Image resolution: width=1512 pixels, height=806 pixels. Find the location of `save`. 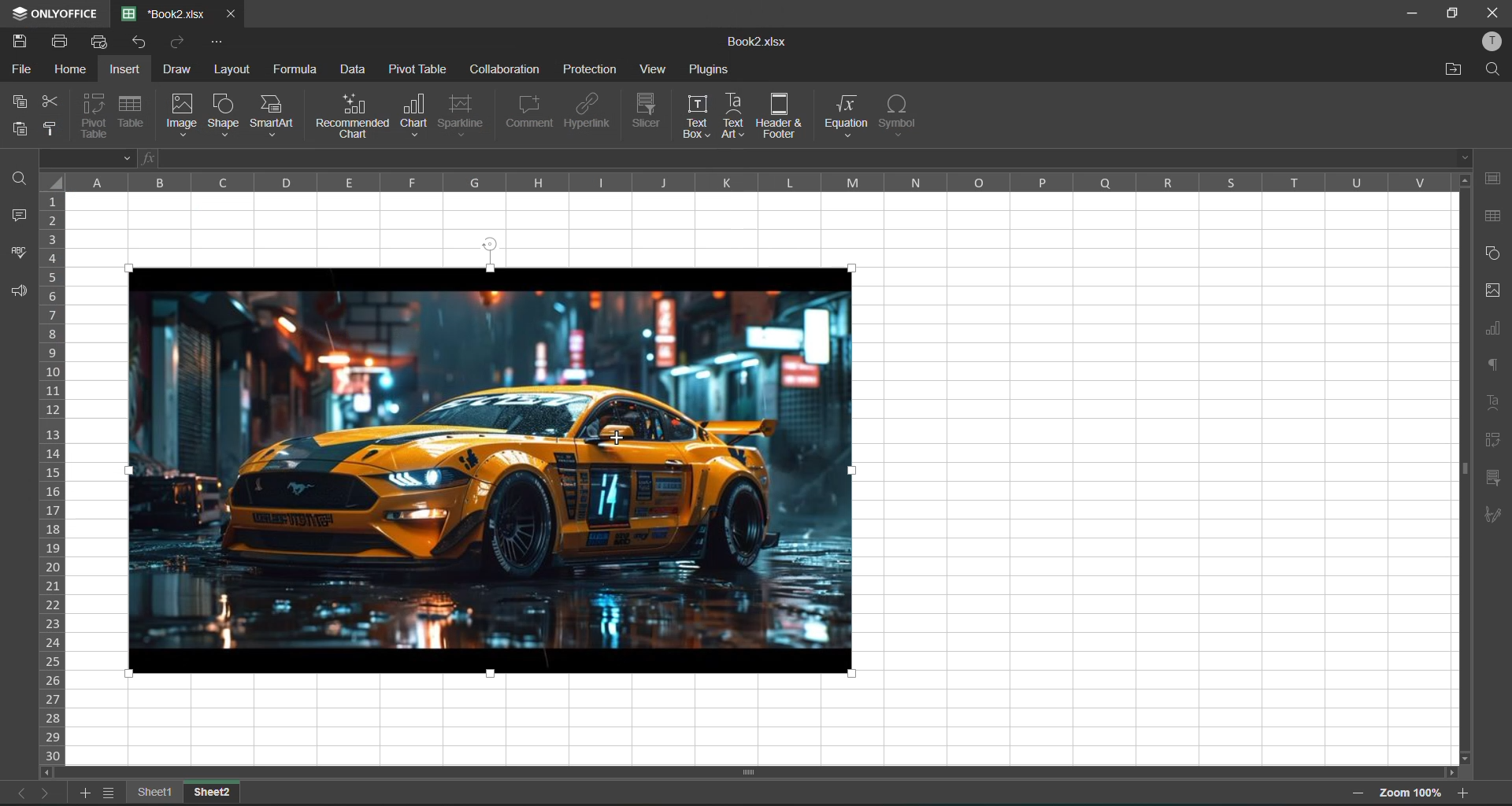

save is located at coordinates (24, 40).